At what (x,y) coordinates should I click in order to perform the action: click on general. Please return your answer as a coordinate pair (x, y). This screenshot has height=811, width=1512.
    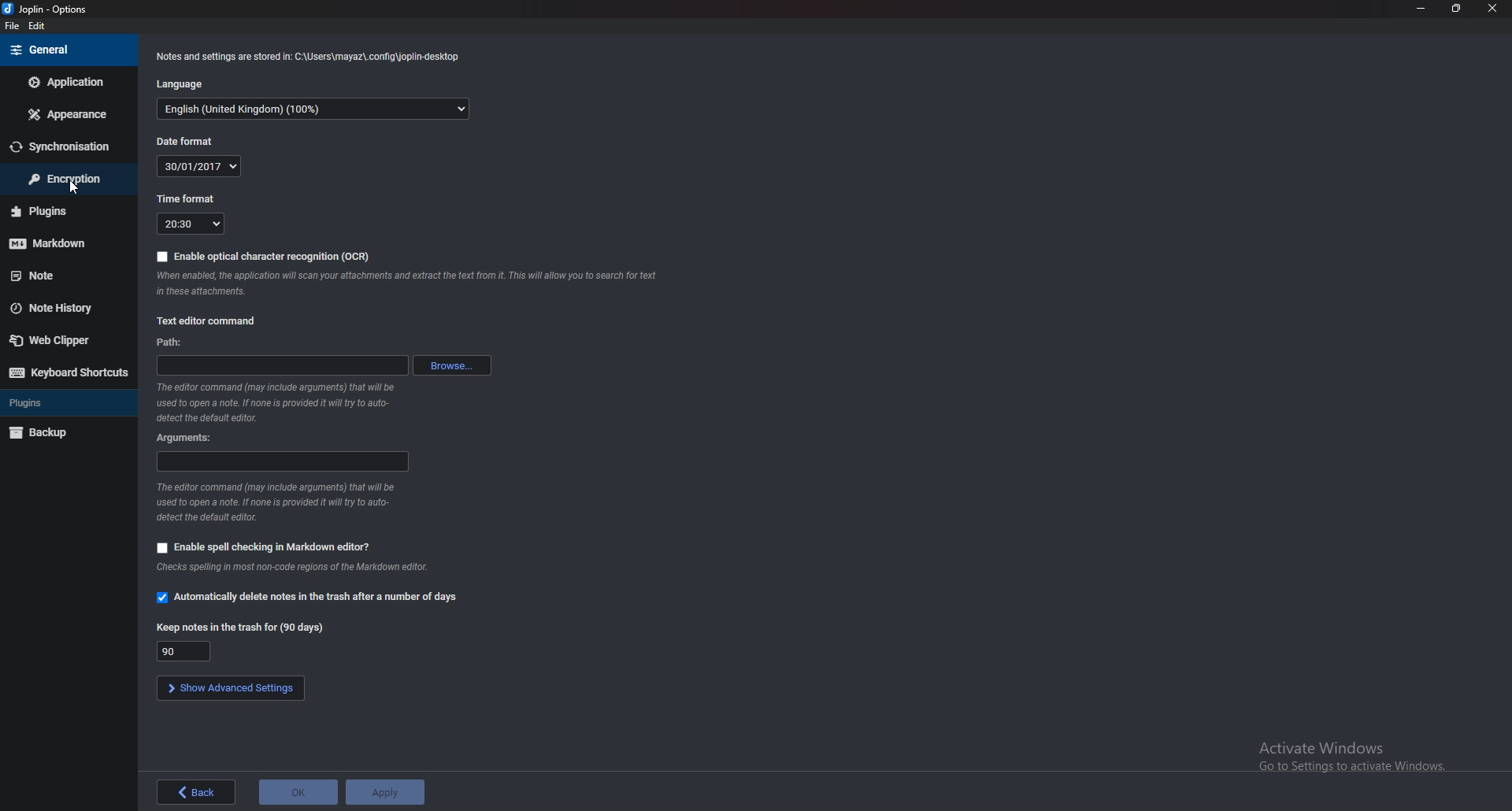
    Looking at the image, I should click on (66, 51).